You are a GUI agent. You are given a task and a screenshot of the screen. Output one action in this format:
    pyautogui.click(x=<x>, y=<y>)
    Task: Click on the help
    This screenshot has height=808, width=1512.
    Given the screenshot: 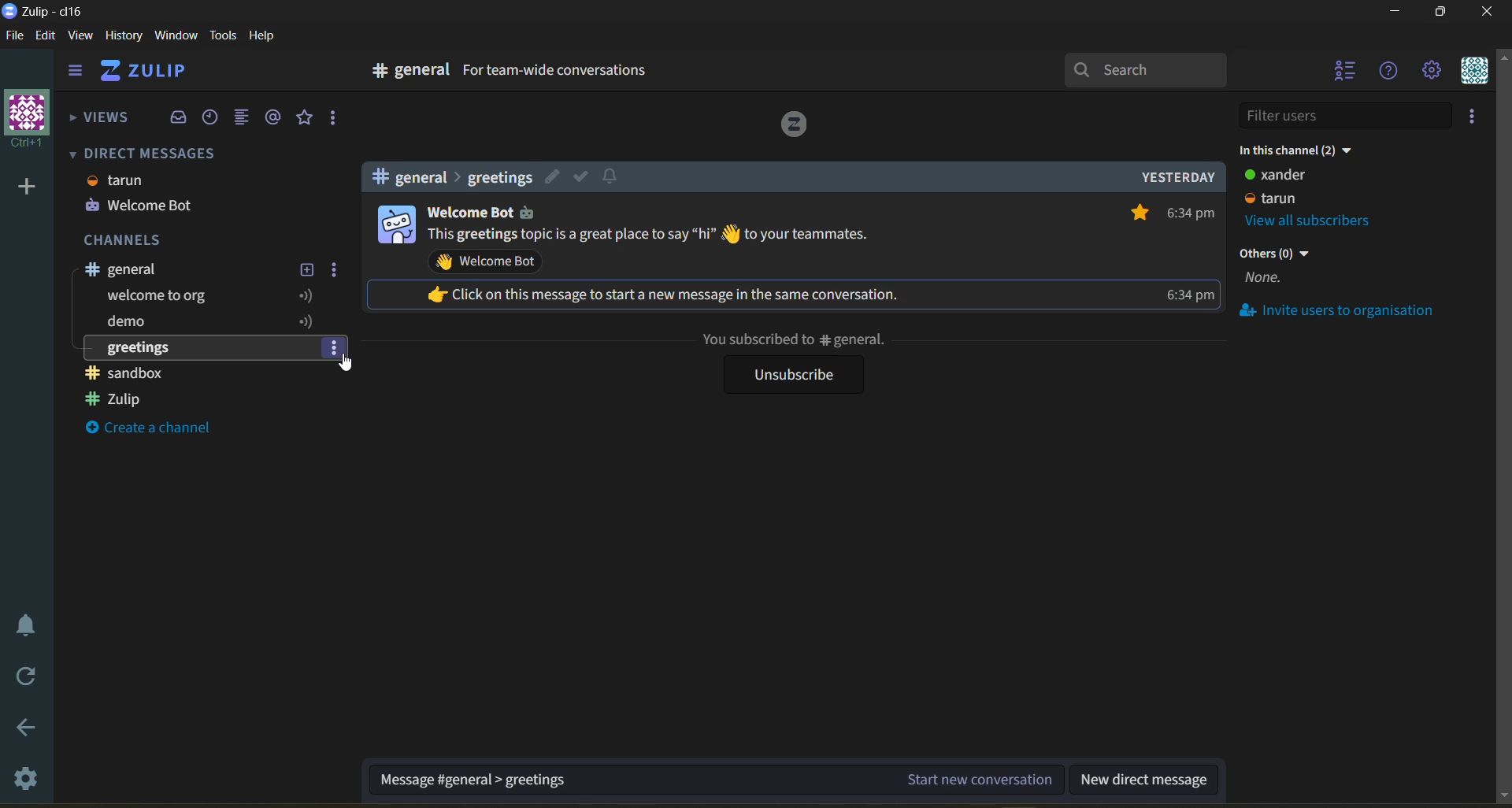 What is the action you would take?
    pyautogui.click(x=267, y=38)
    